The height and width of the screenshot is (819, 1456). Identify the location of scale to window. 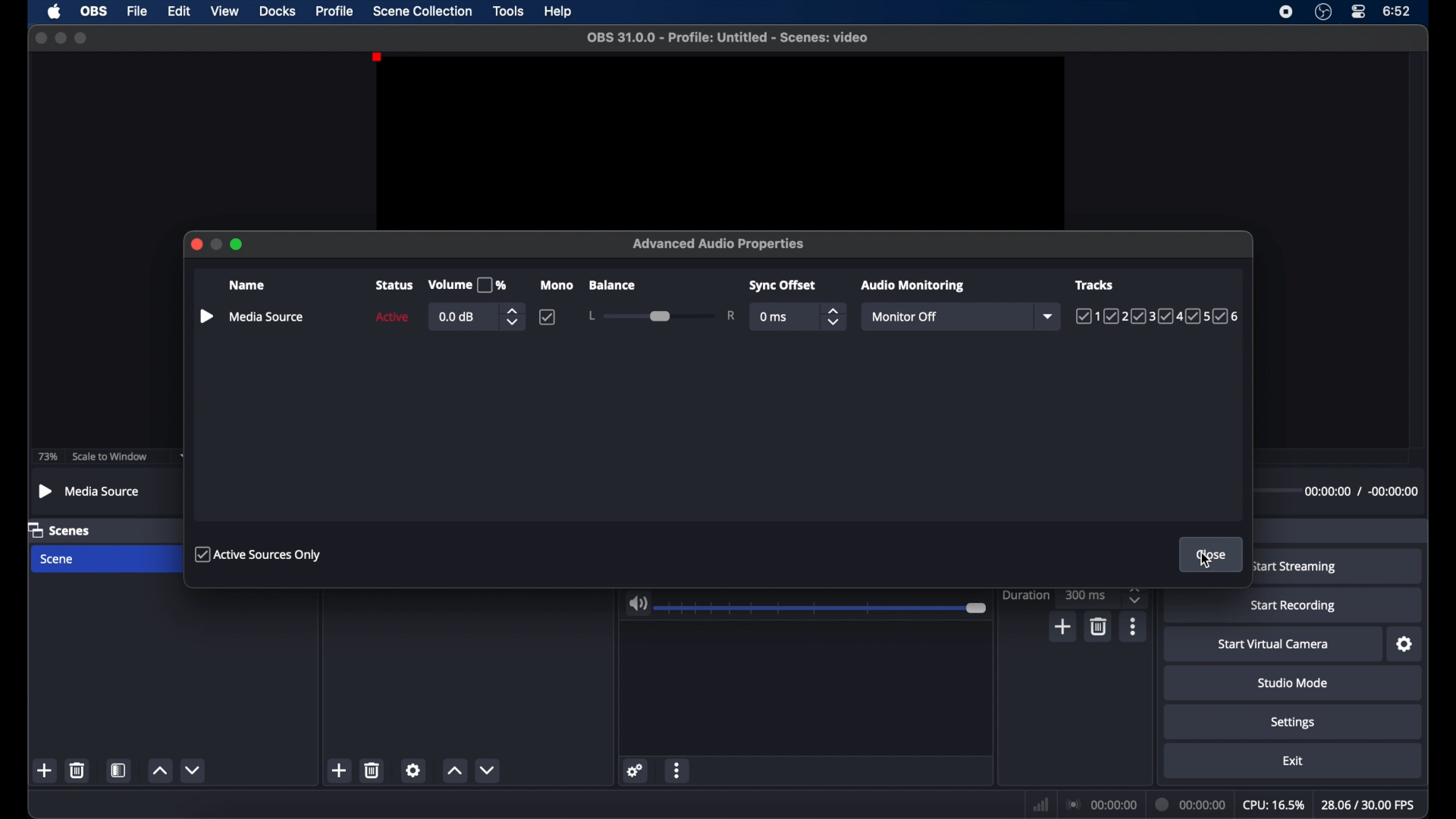
(109, 457).